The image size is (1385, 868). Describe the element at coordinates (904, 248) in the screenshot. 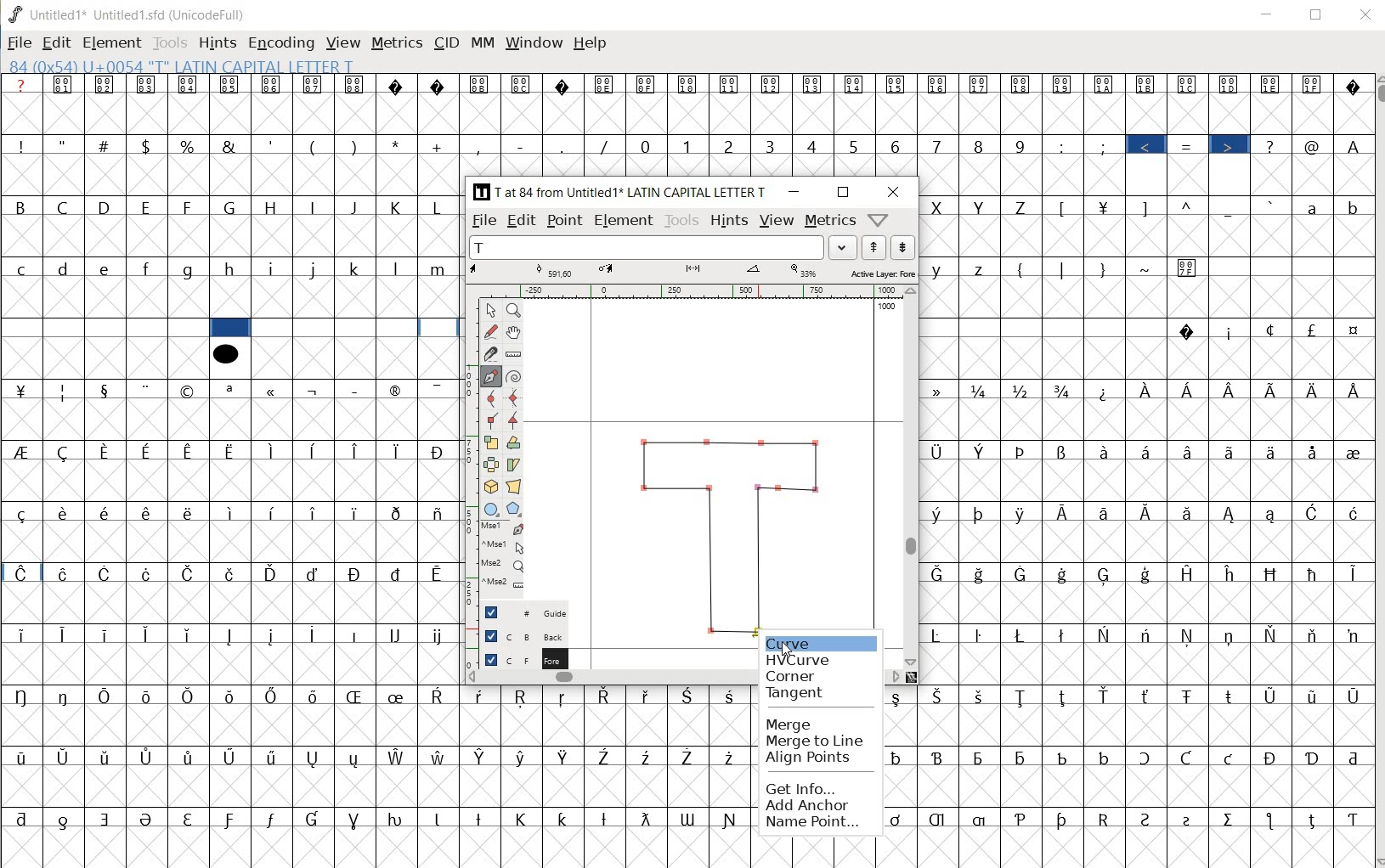

I see `next word` at that location.